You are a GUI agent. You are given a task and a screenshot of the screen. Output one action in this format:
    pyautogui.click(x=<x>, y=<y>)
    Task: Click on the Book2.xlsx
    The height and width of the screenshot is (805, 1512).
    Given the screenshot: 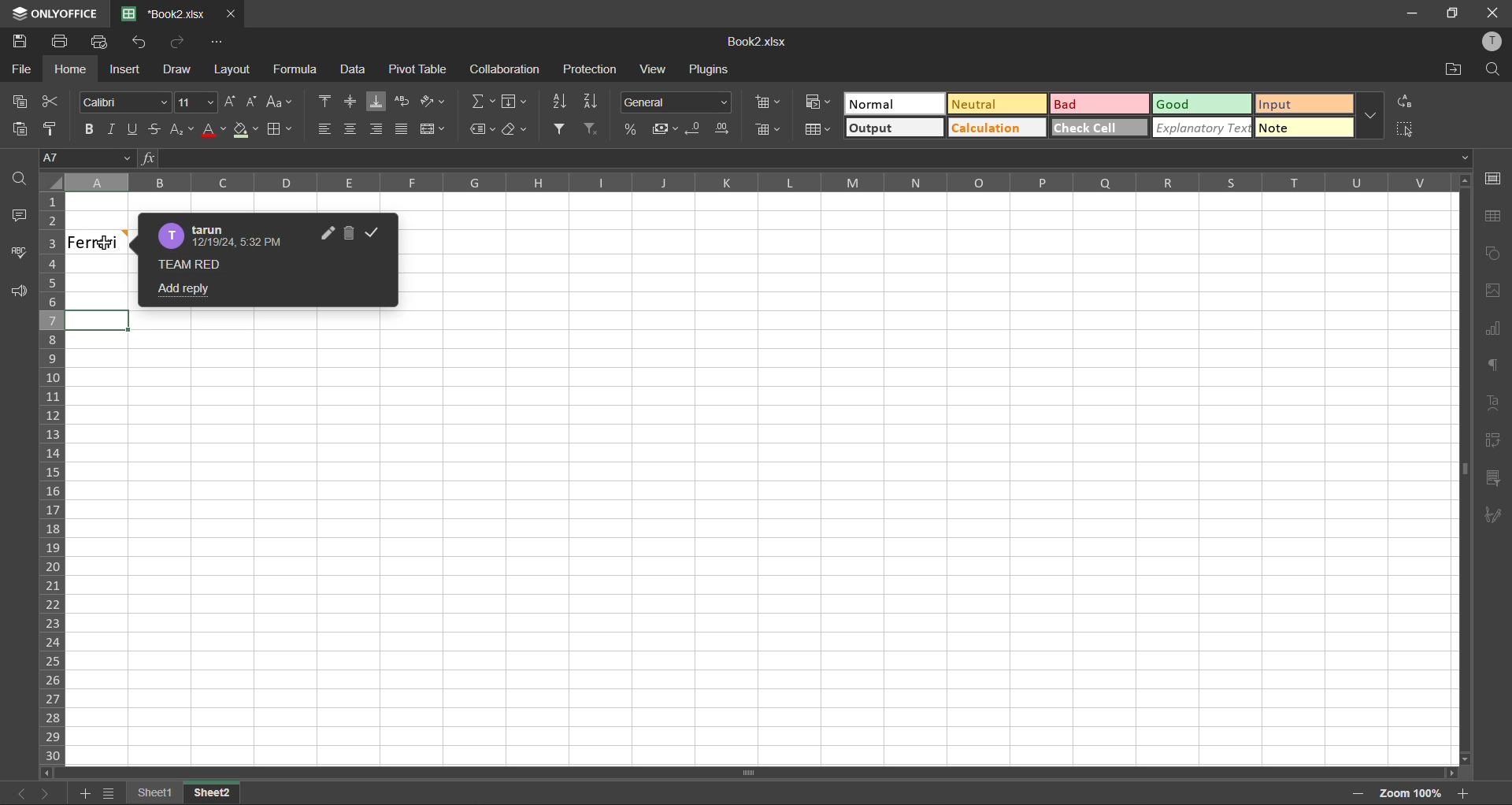 What is the action you would take?
    pyautogui.click(x=764, y=43)
    